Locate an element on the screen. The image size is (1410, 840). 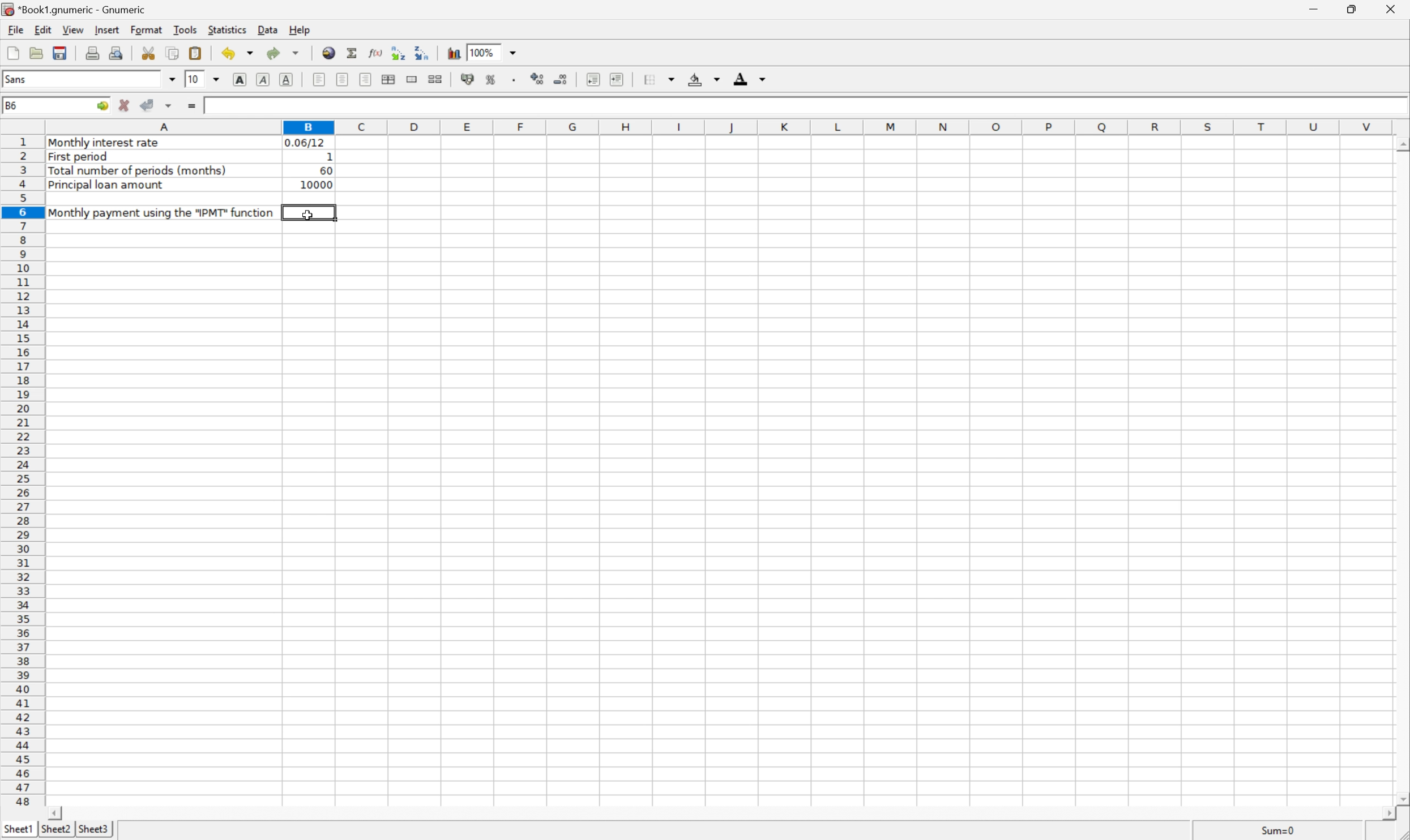
Increase indent, and align the contents to the left is located at coordinates (619, 79).